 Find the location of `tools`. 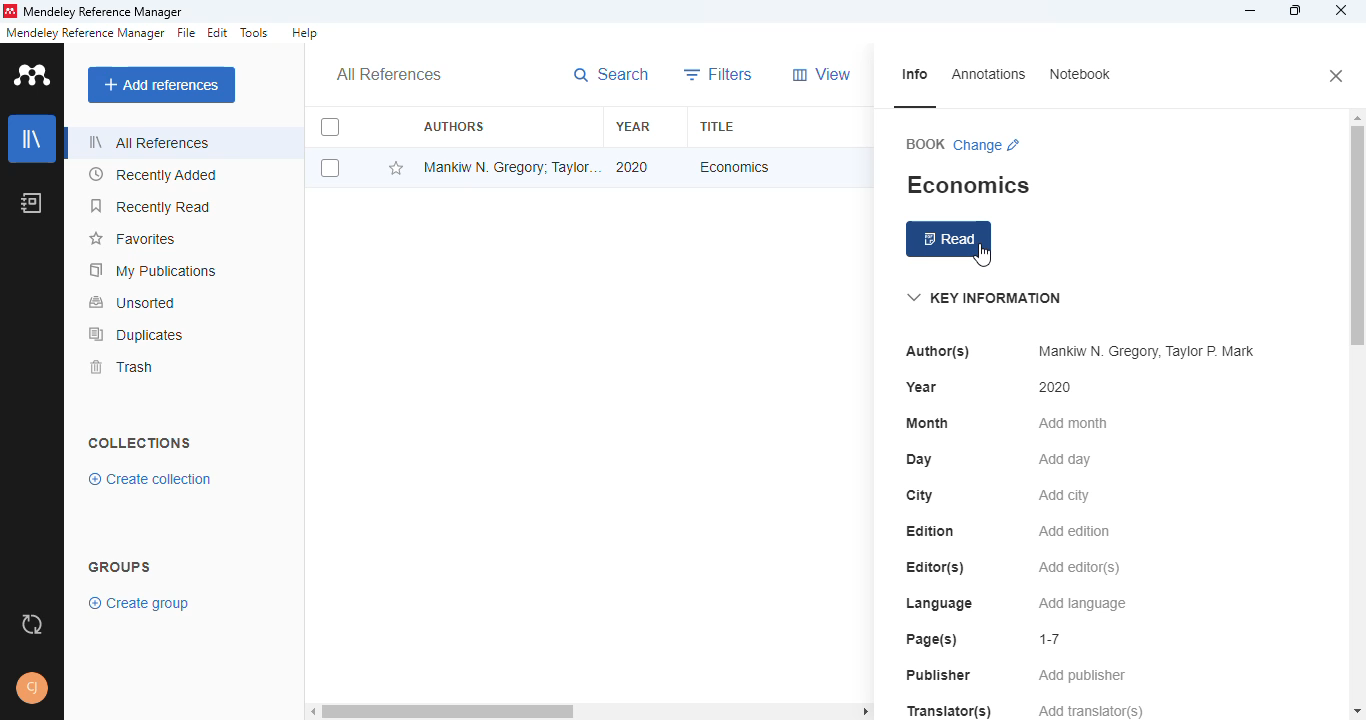

tools is located at coordinates (253, 32).